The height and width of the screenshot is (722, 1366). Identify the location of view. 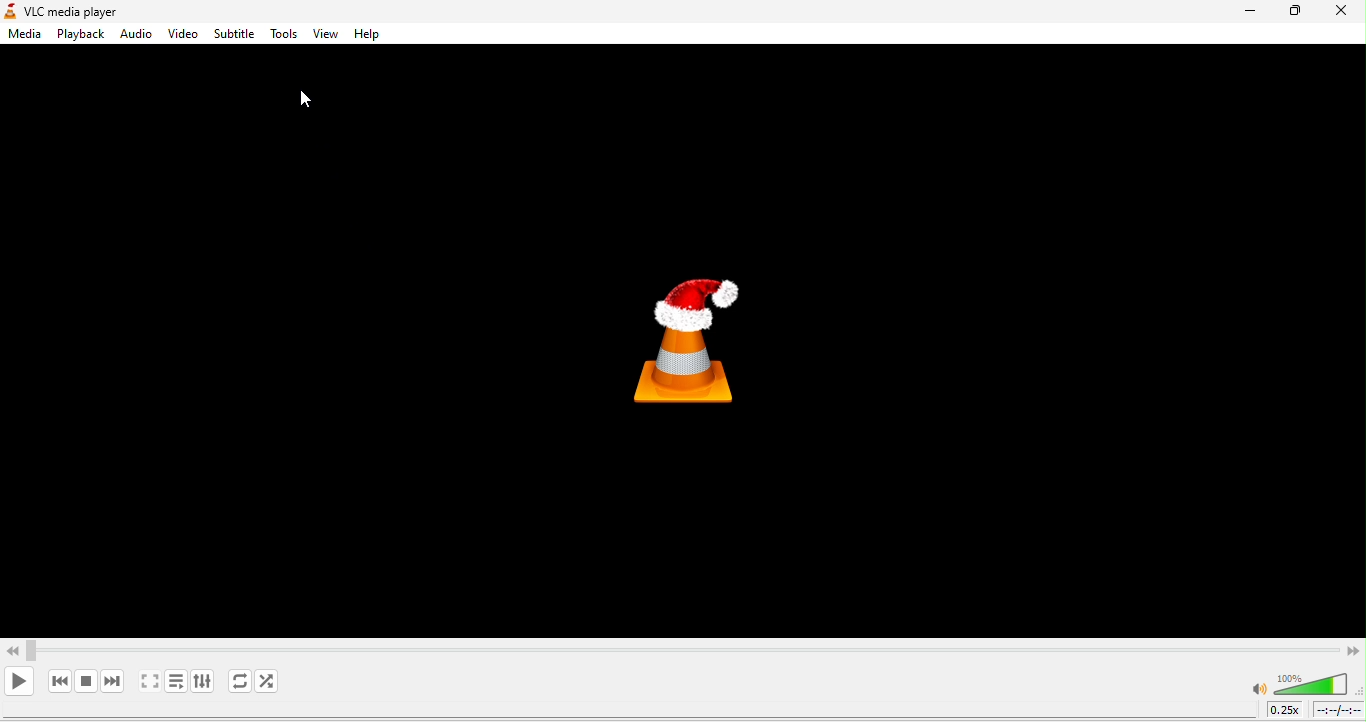
(324, 36).